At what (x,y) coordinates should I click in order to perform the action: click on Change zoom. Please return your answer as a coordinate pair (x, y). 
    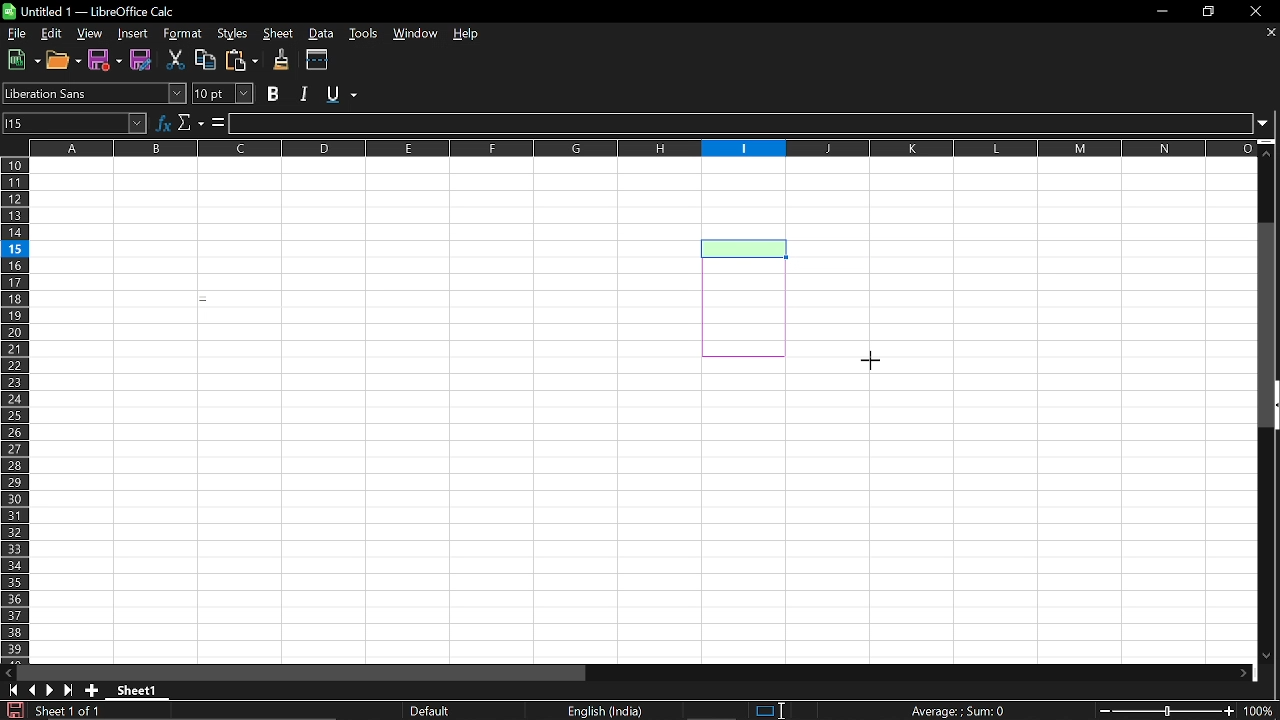
    Looking at the image, I should click on (1170, 712).